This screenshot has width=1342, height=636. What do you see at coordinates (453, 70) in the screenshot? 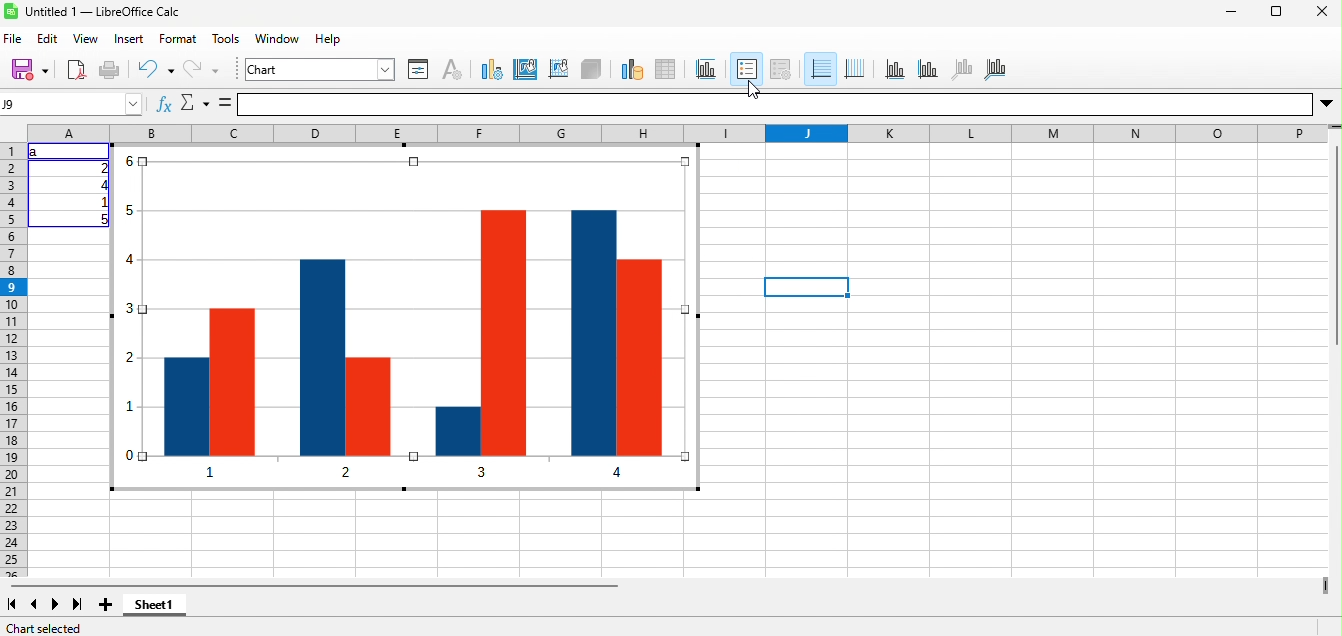
I see `character` at bounding box center [453, 70].